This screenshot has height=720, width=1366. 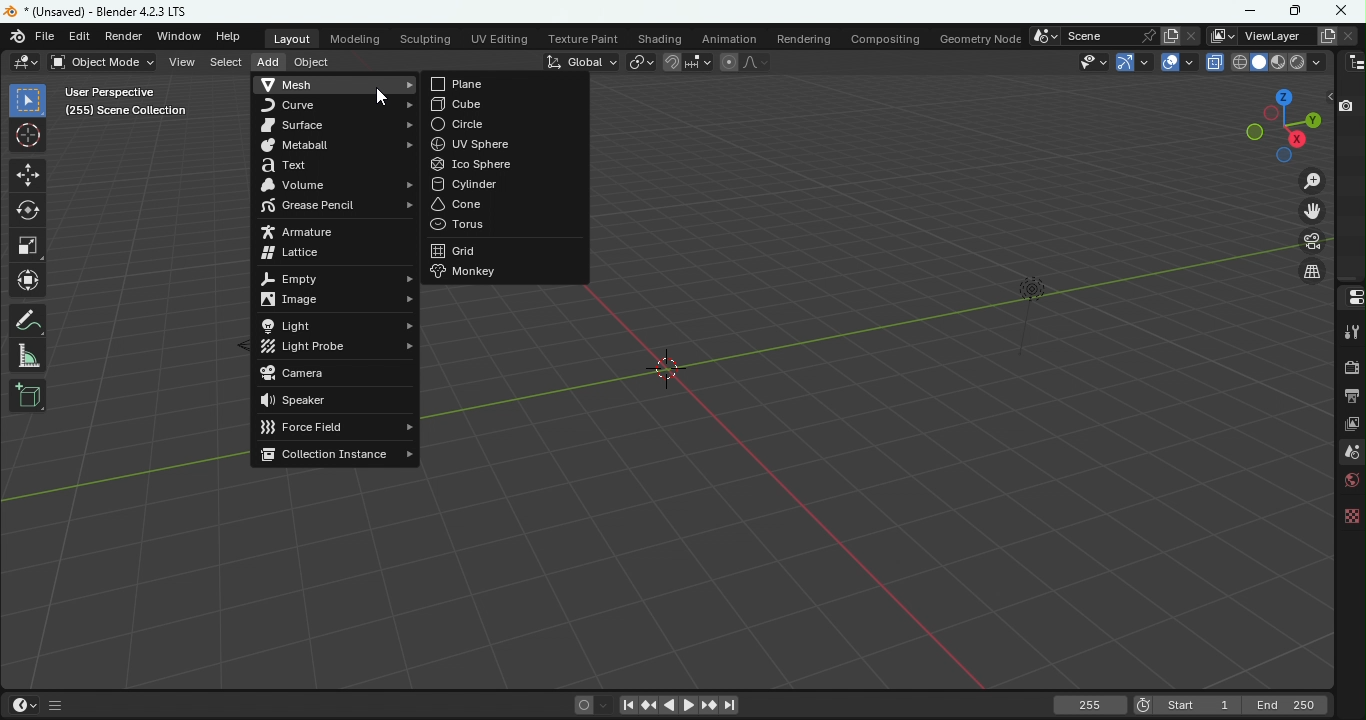 What do you see at coordinates (27, 397) in the screenshot?
I see `Add cube` at bounding box center [27, 397].